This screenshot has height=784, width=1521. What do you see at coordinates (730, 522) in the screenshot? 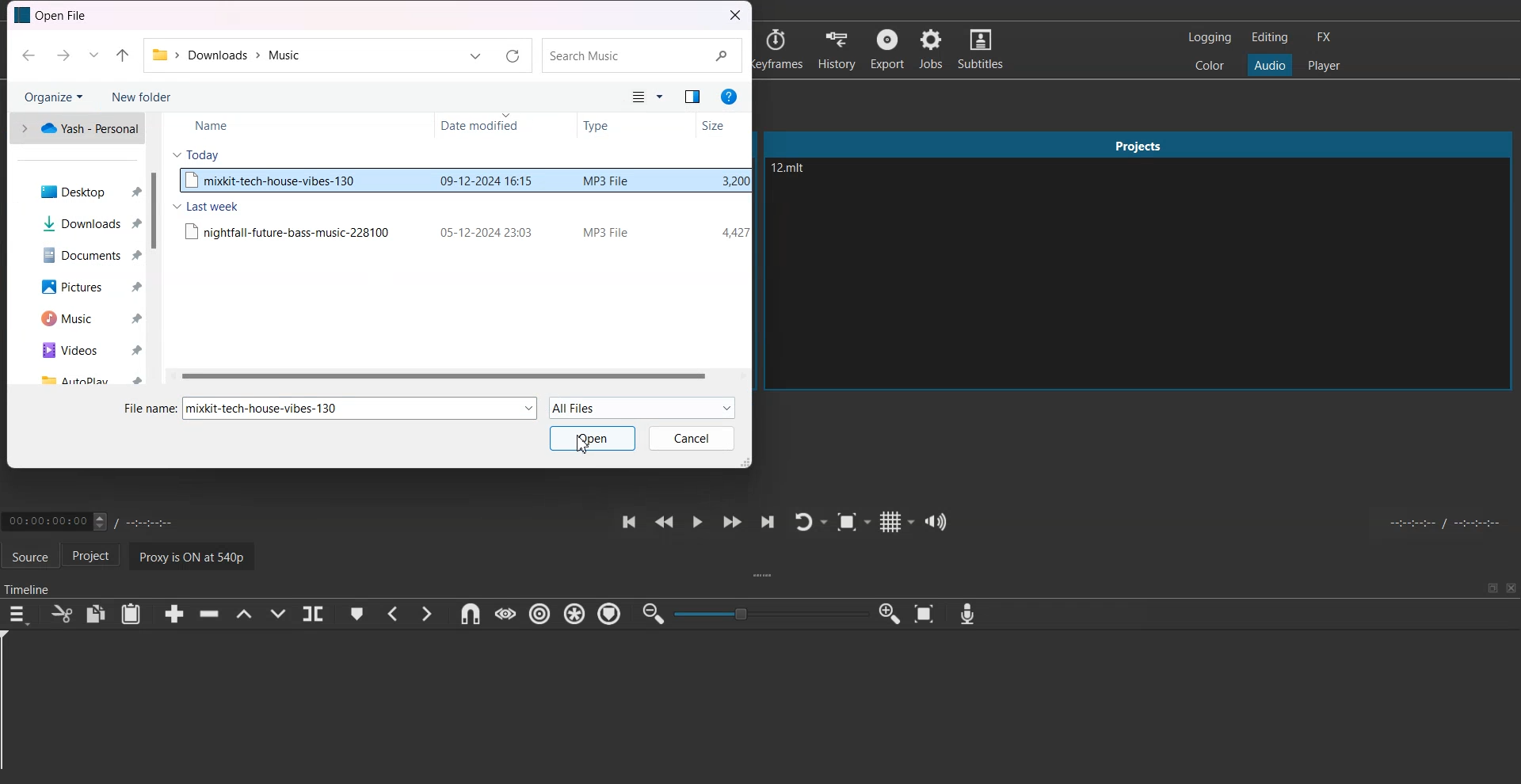
I see `Play quickly forwards` at bounding box center [730, 522].